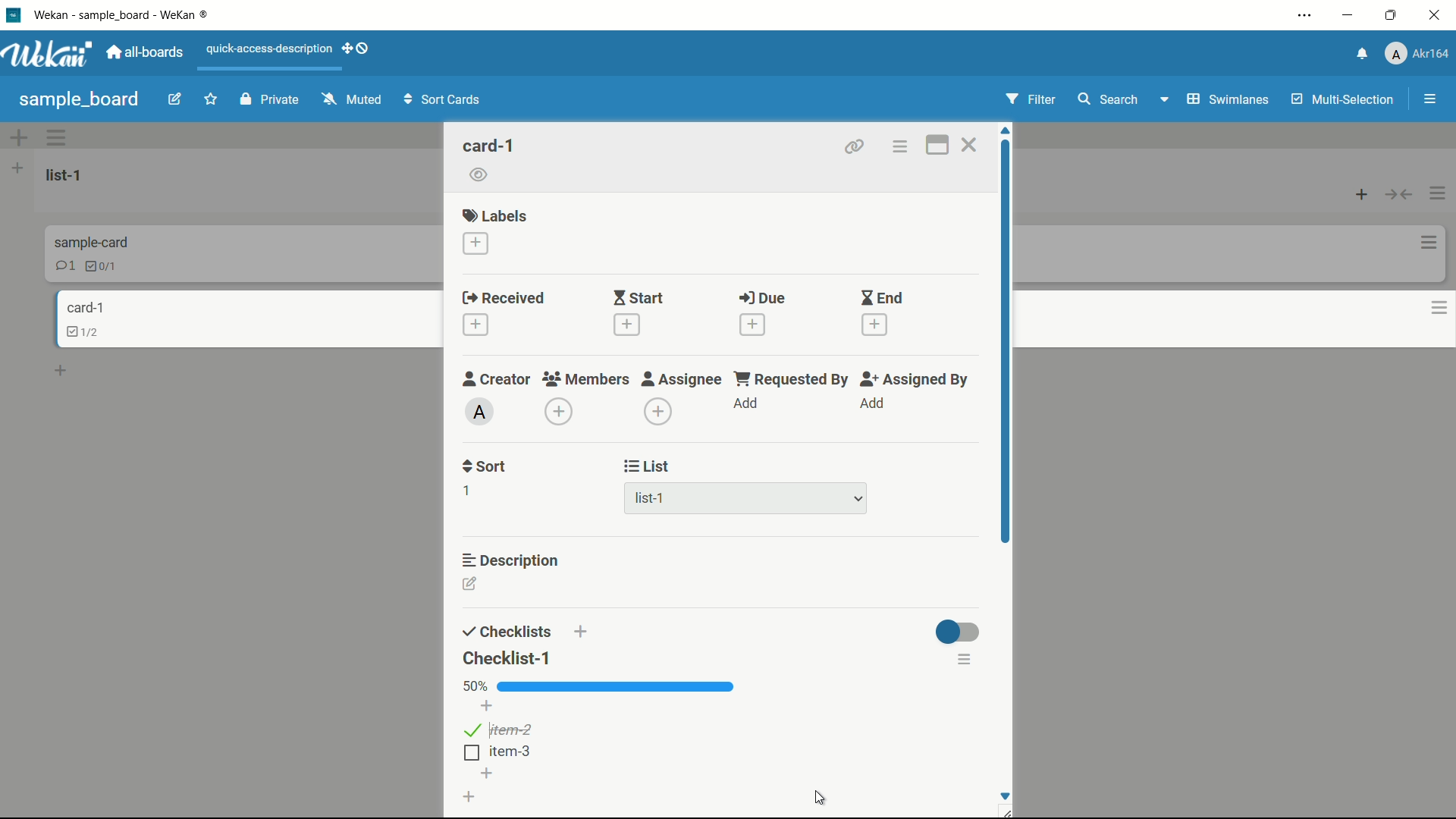 The image size is (1456, 819). Describe the element at coordinates (83, 309) in the screenshot. I see `card name` at that location.